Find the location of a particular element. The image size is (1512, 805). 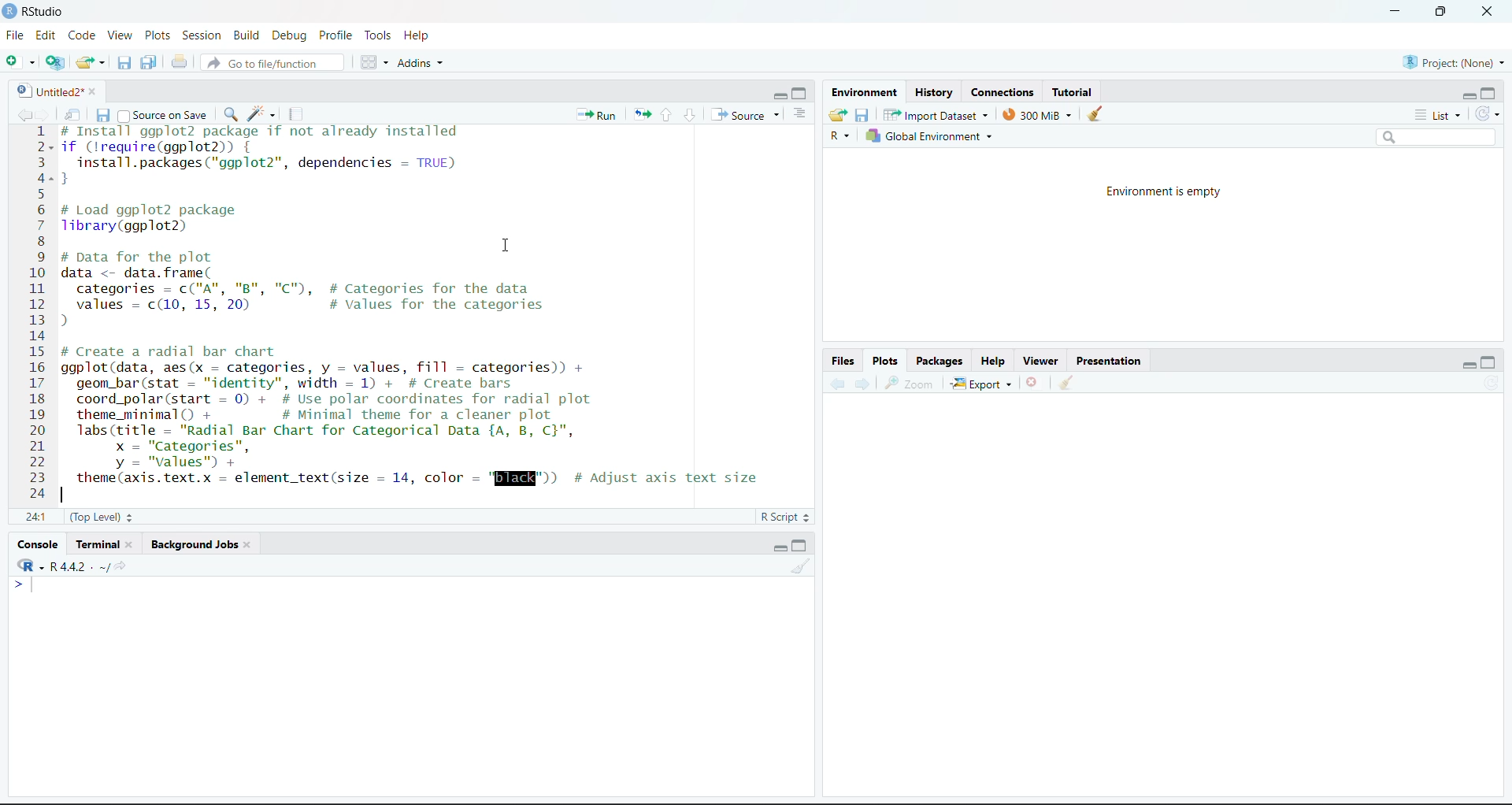

®R-R442. ~/ is located at coordinates (69, 566).